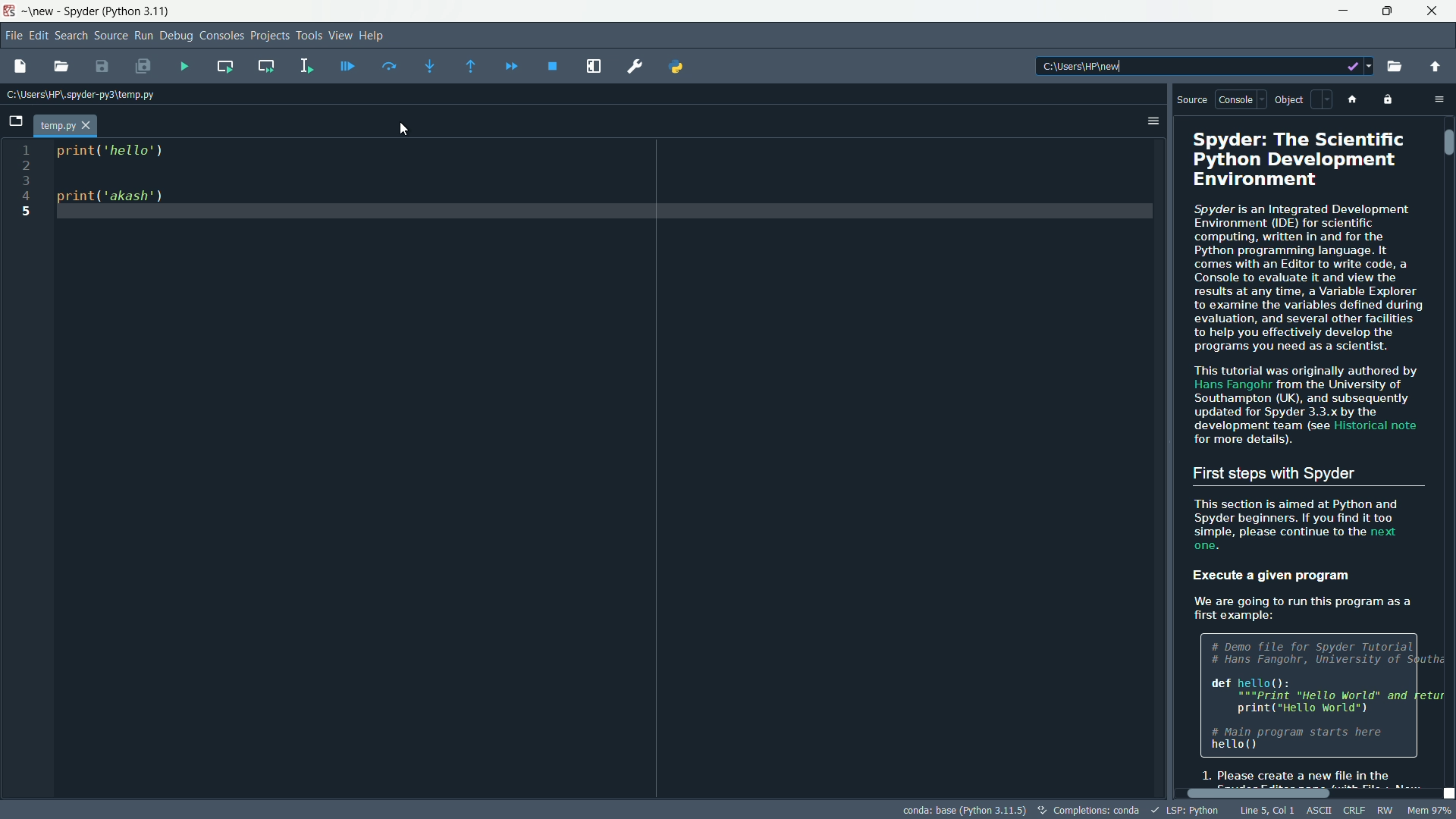 The image size is (1456, 819). I want to click on rw, so click(1386, 810).